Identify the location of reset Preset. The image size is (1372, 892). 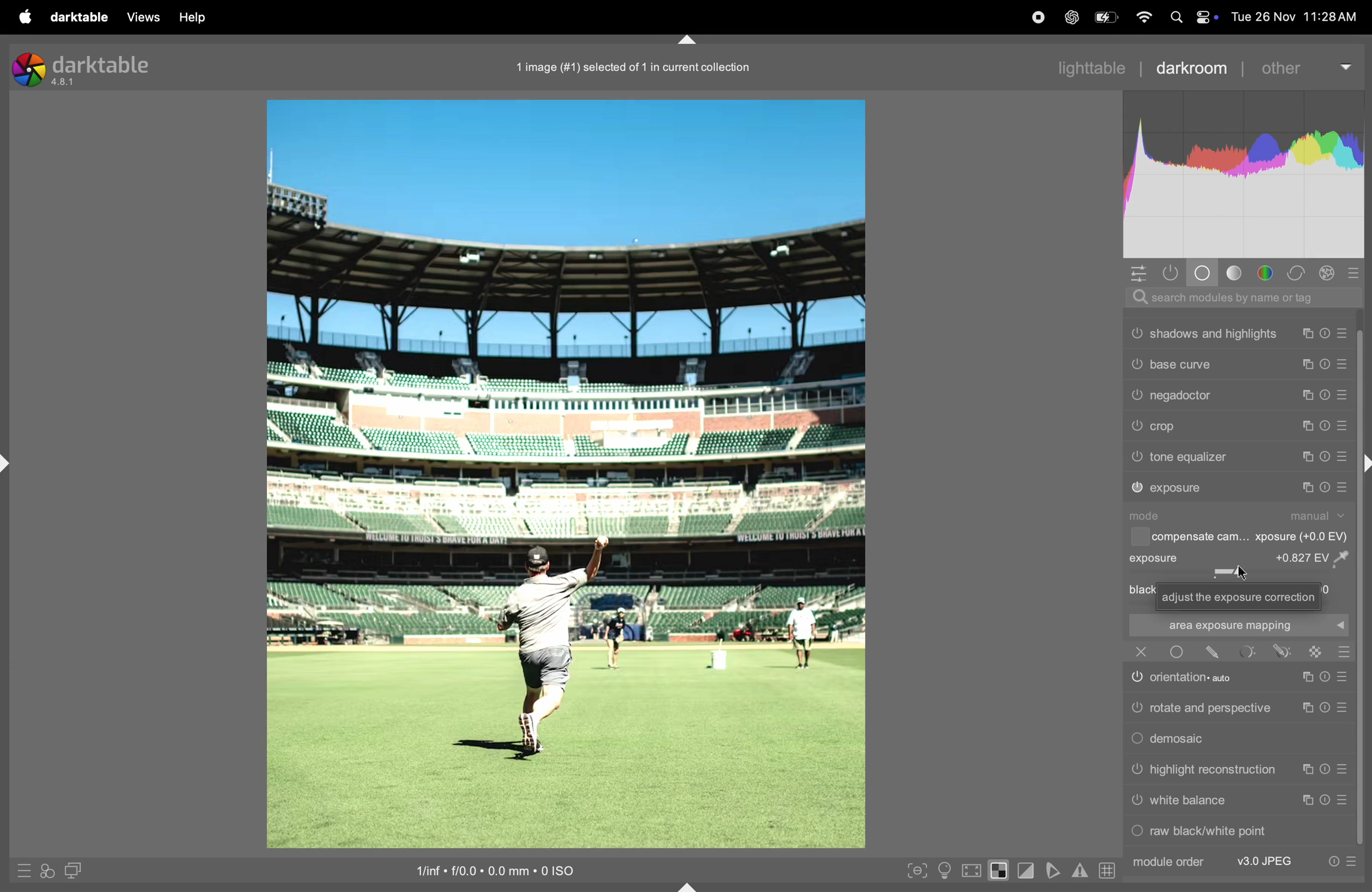
(1324, 677).